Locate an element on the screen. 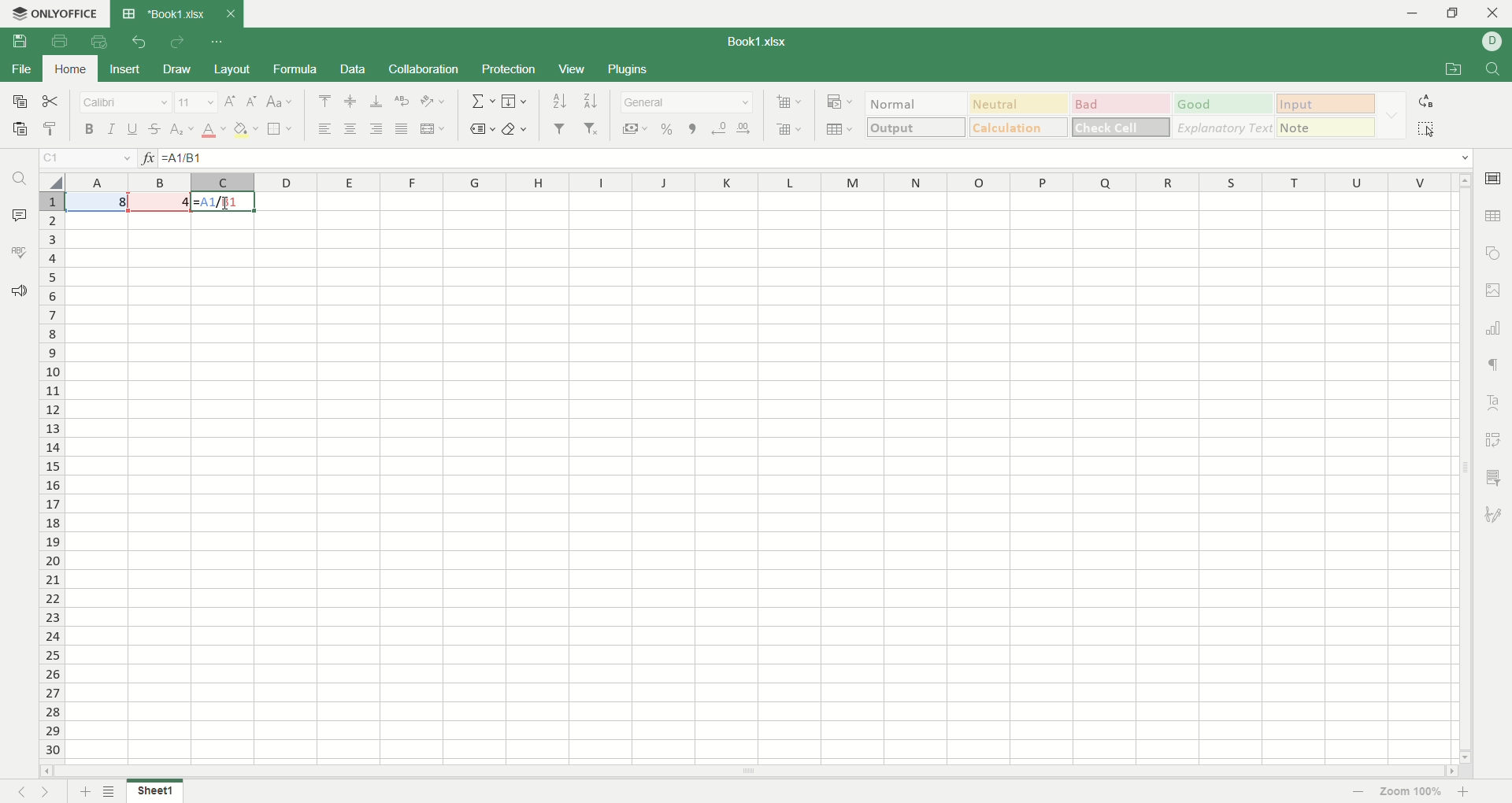 This screenshot has height=803, width=1512. justified is located at coordinates (403, 129).